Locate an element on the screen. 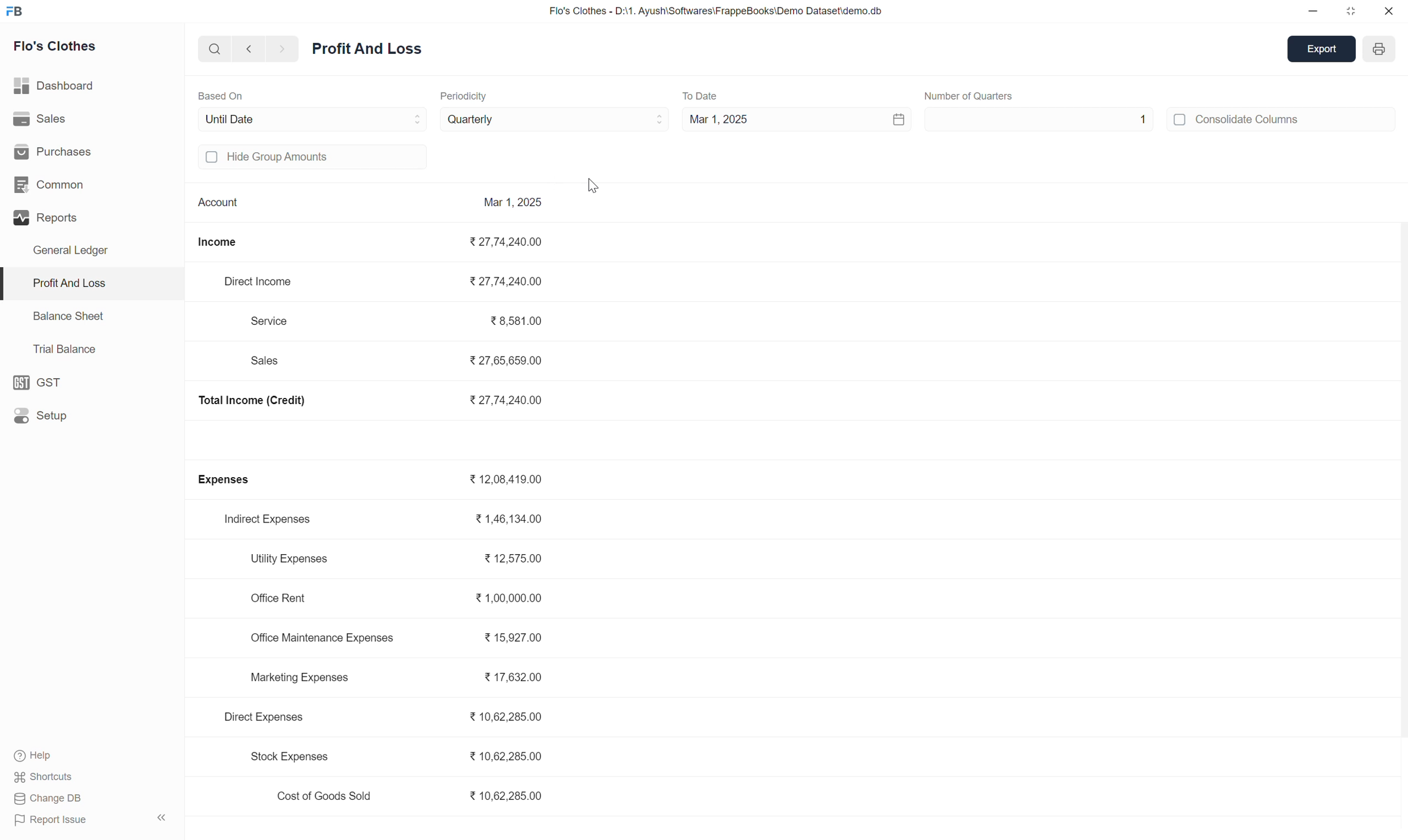  ₹27,65,659.00 is located at coordinates (503, 363).